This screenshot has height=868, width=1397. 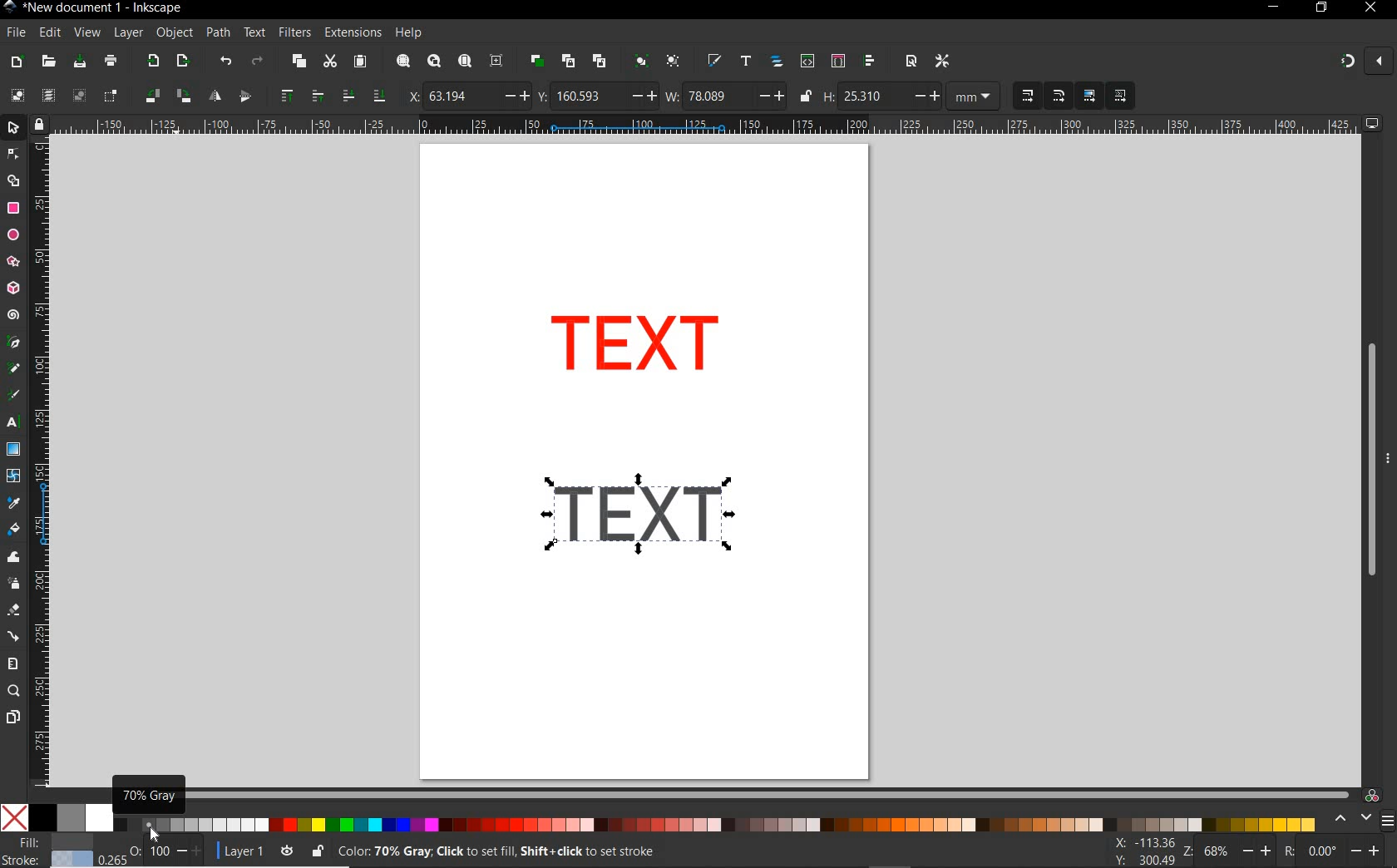 I want to click on opacity, so click(x=153, y=850).